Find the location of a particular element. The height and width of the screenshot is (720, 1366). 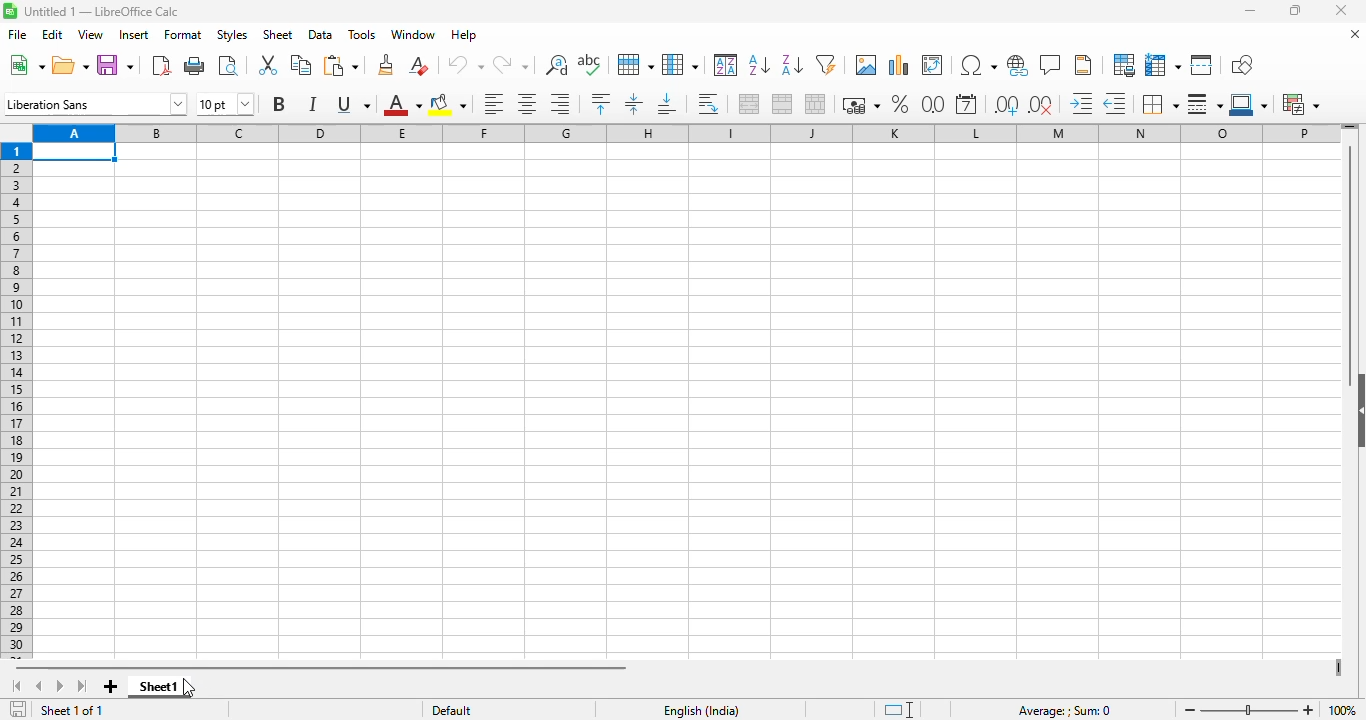

close is located at coordinates (1340, 10).